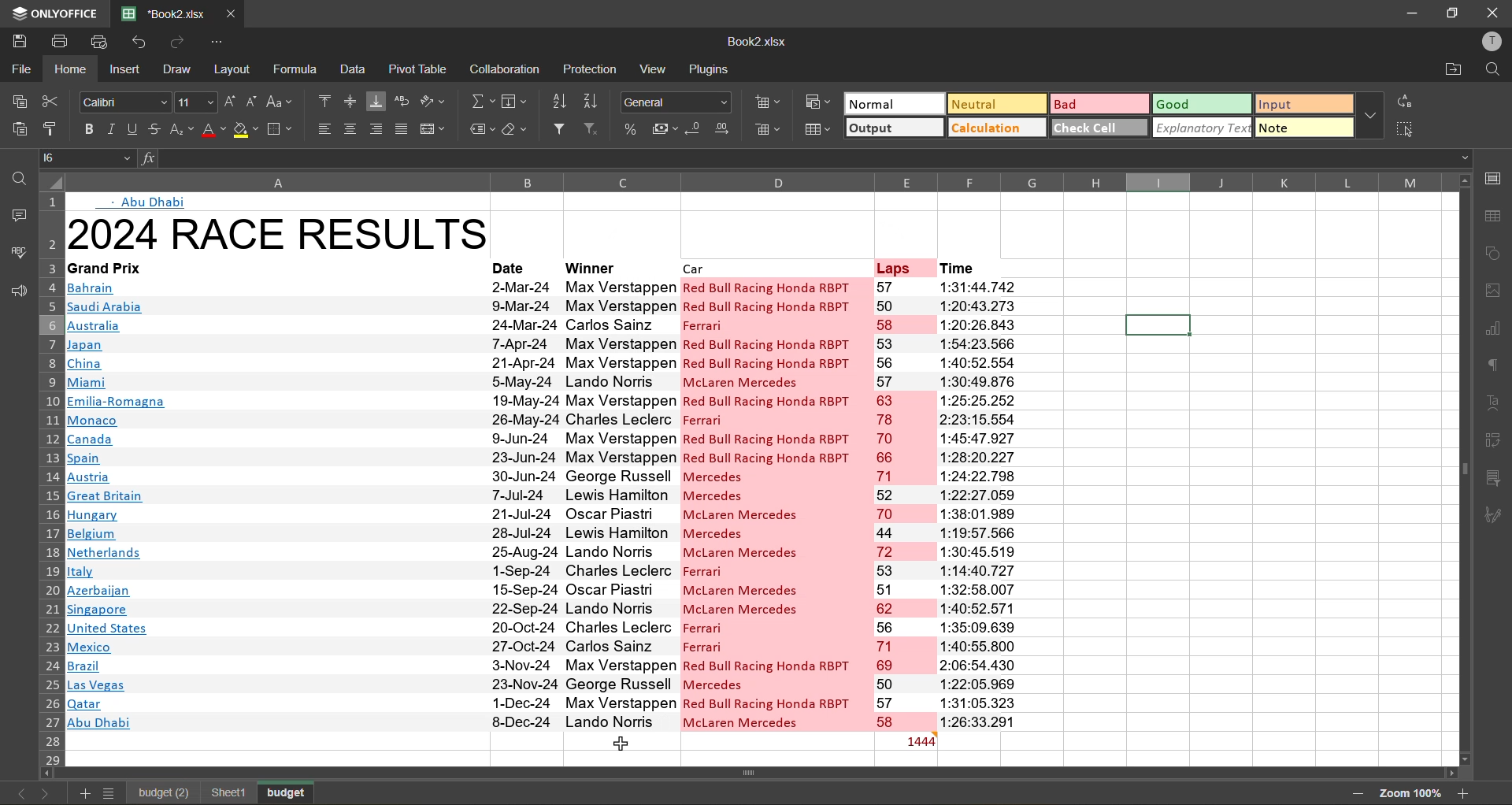 The height and width of the screenshot is (805, 1512). What do you see at coordinates (82, 793) in the screenshot?
I see `add sheet` at bounding box center [82, 793].